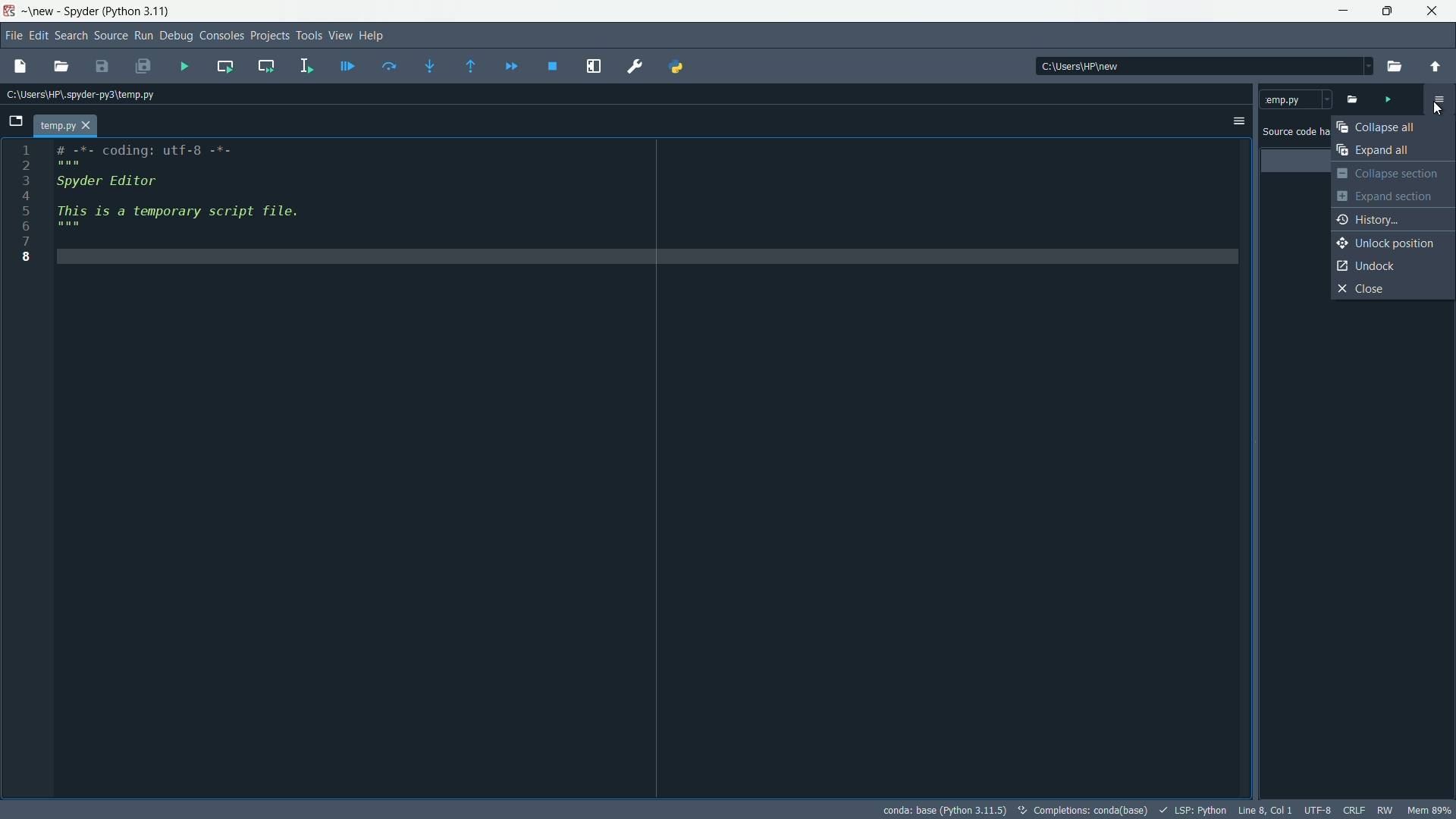  Describe the element at coordinates (1434, 11) in the screenshot. I see `close app` at that location.